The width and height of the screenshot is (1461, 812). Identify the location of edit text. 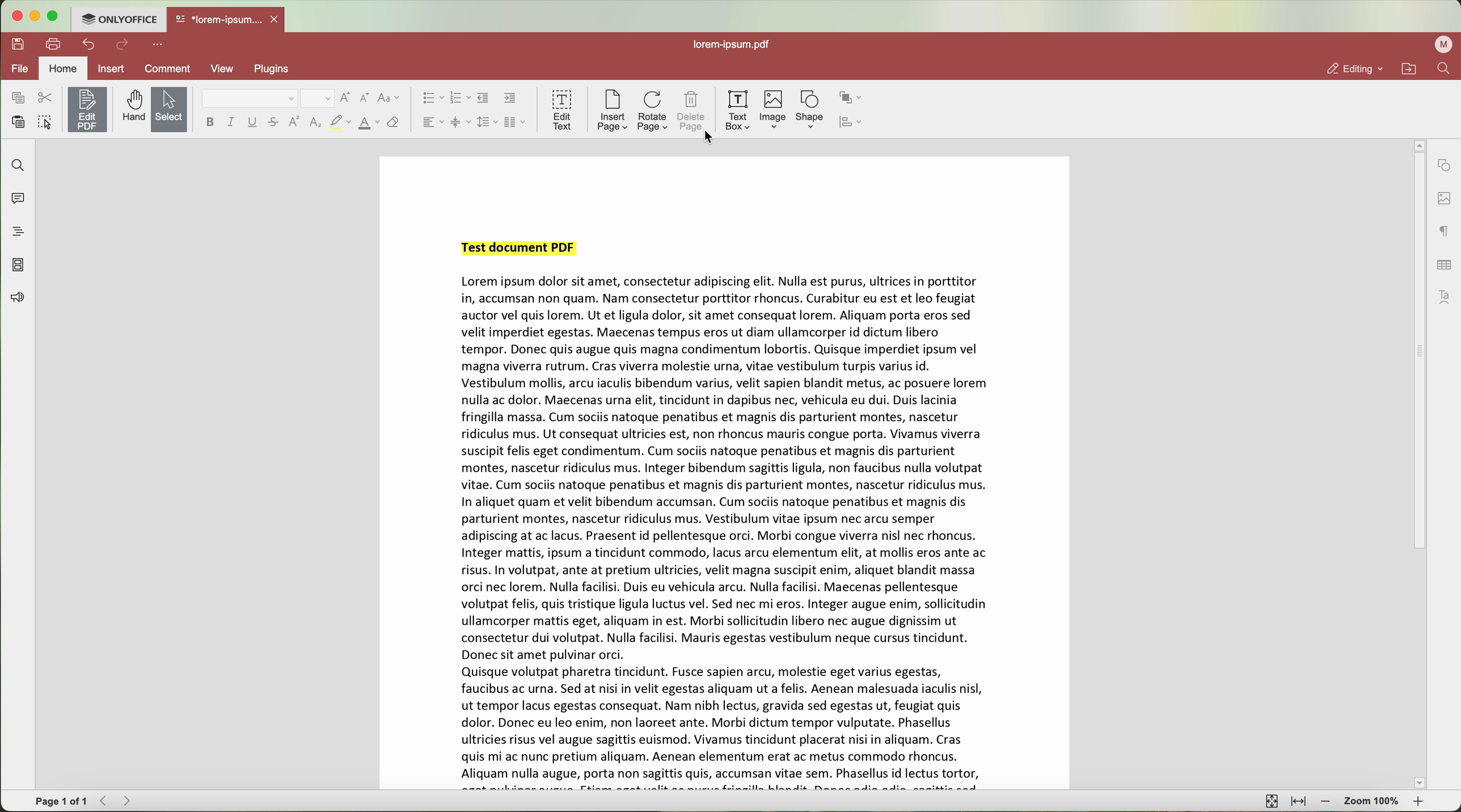
(560, 111).